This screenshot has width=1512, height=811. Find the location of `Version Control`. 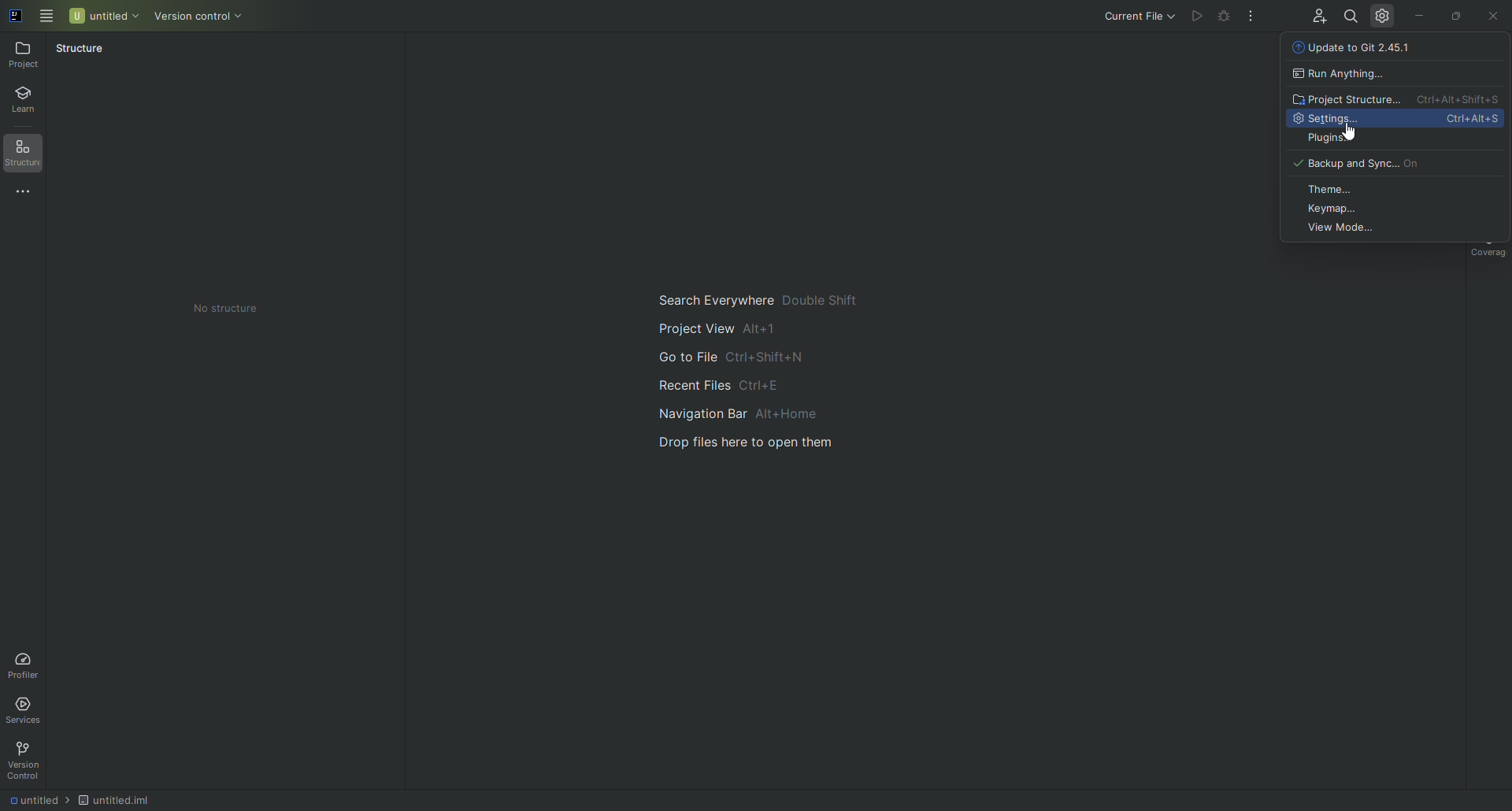

Version Control is located at coordinates (195, 16).